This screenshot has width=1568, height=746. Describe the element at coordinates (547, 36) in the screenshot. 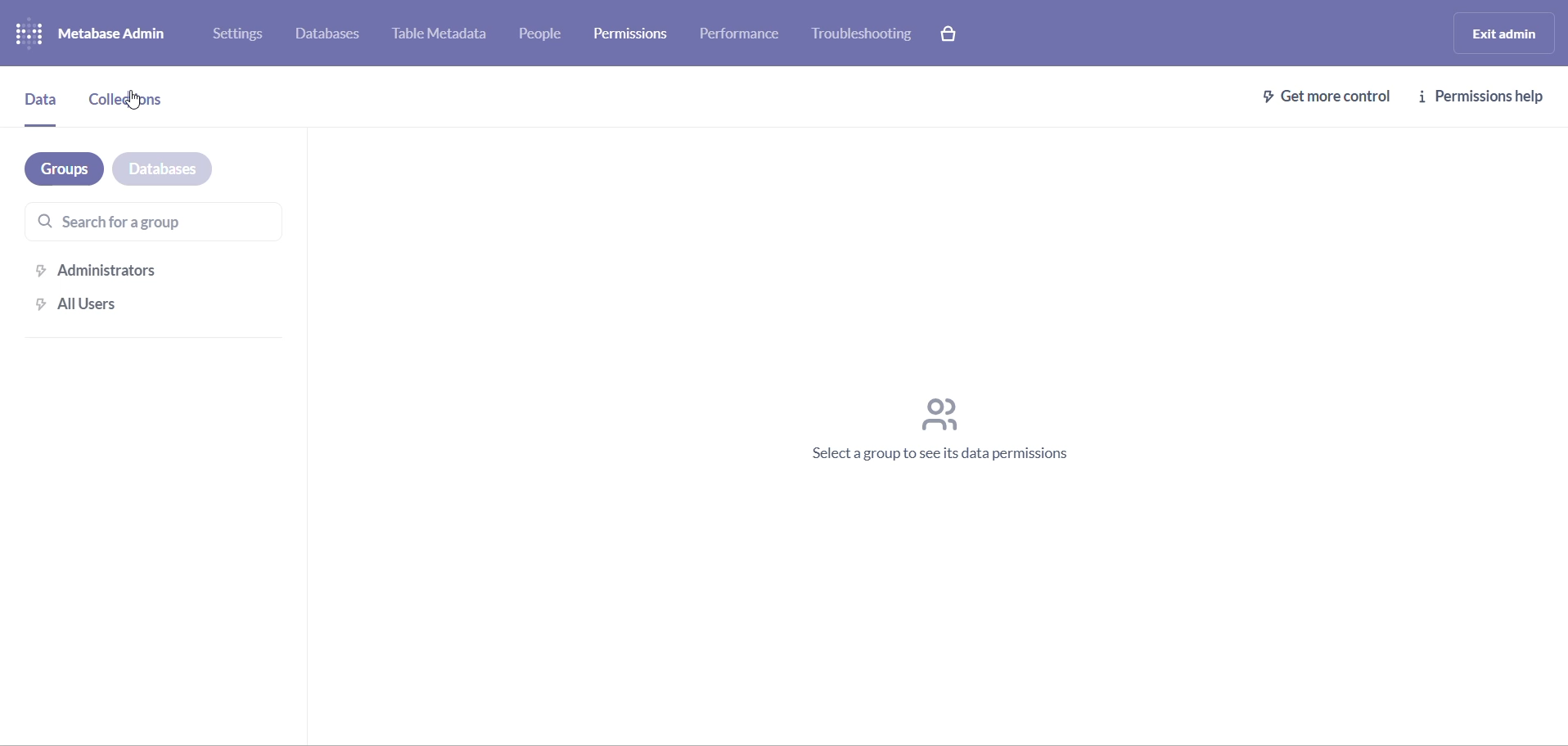

I see `people` at that location.